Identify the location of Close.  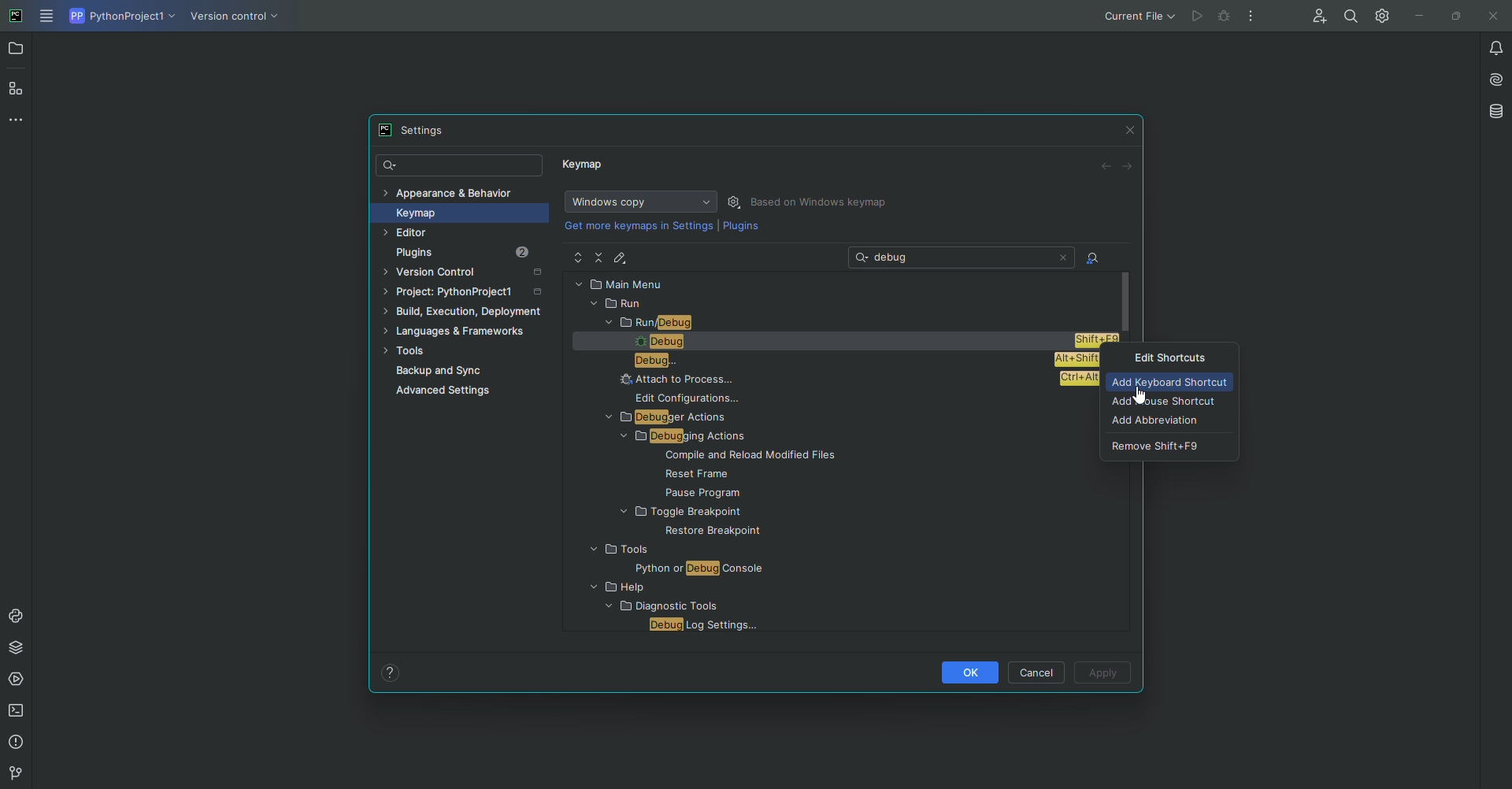
(1131, 127).